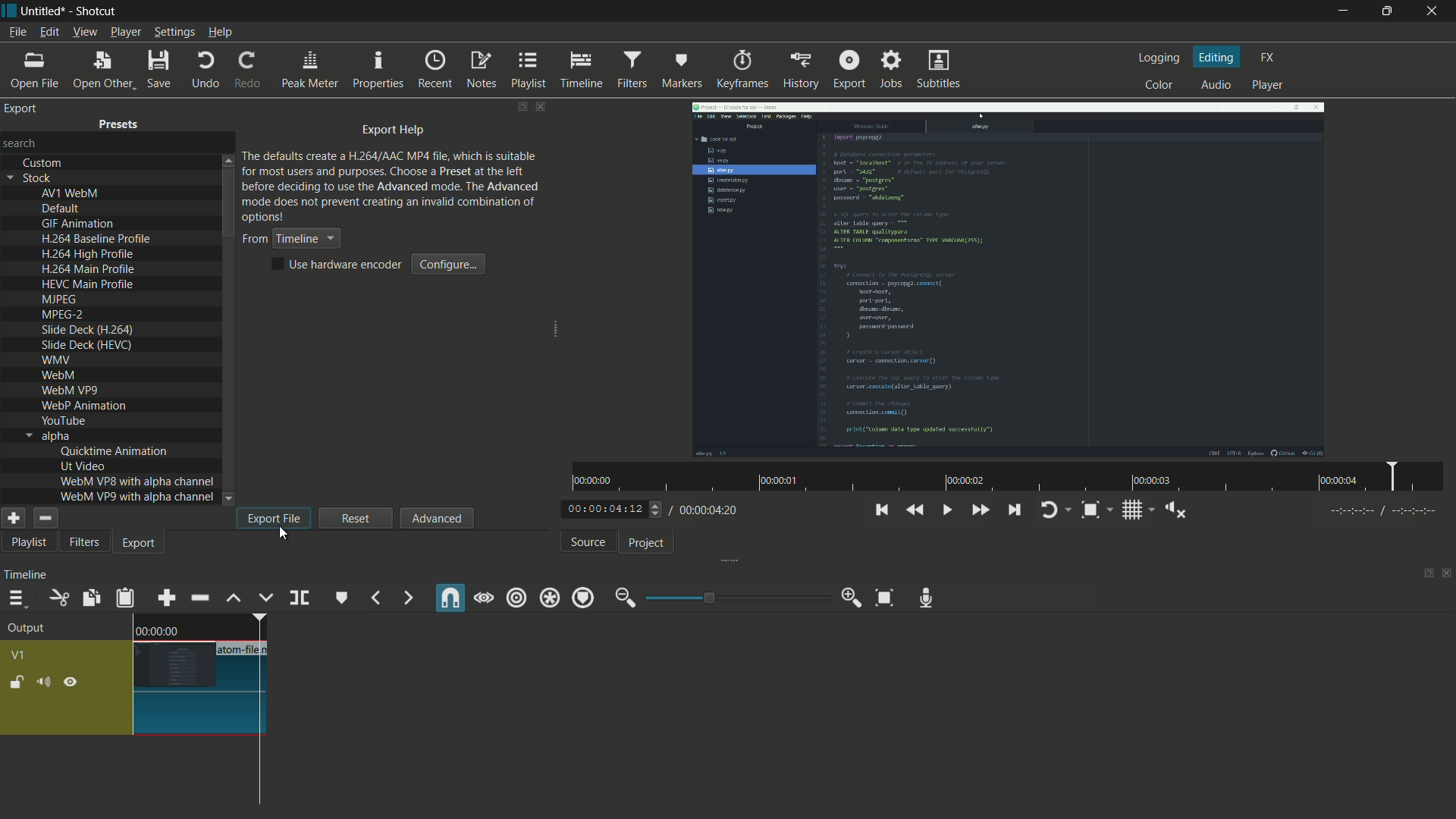 The width and height of the screenshot is (1456, 819). What do you see at coordinates (300, 597) in the screenshot?
I see `split at playhead` at bounding box center [300, 597].